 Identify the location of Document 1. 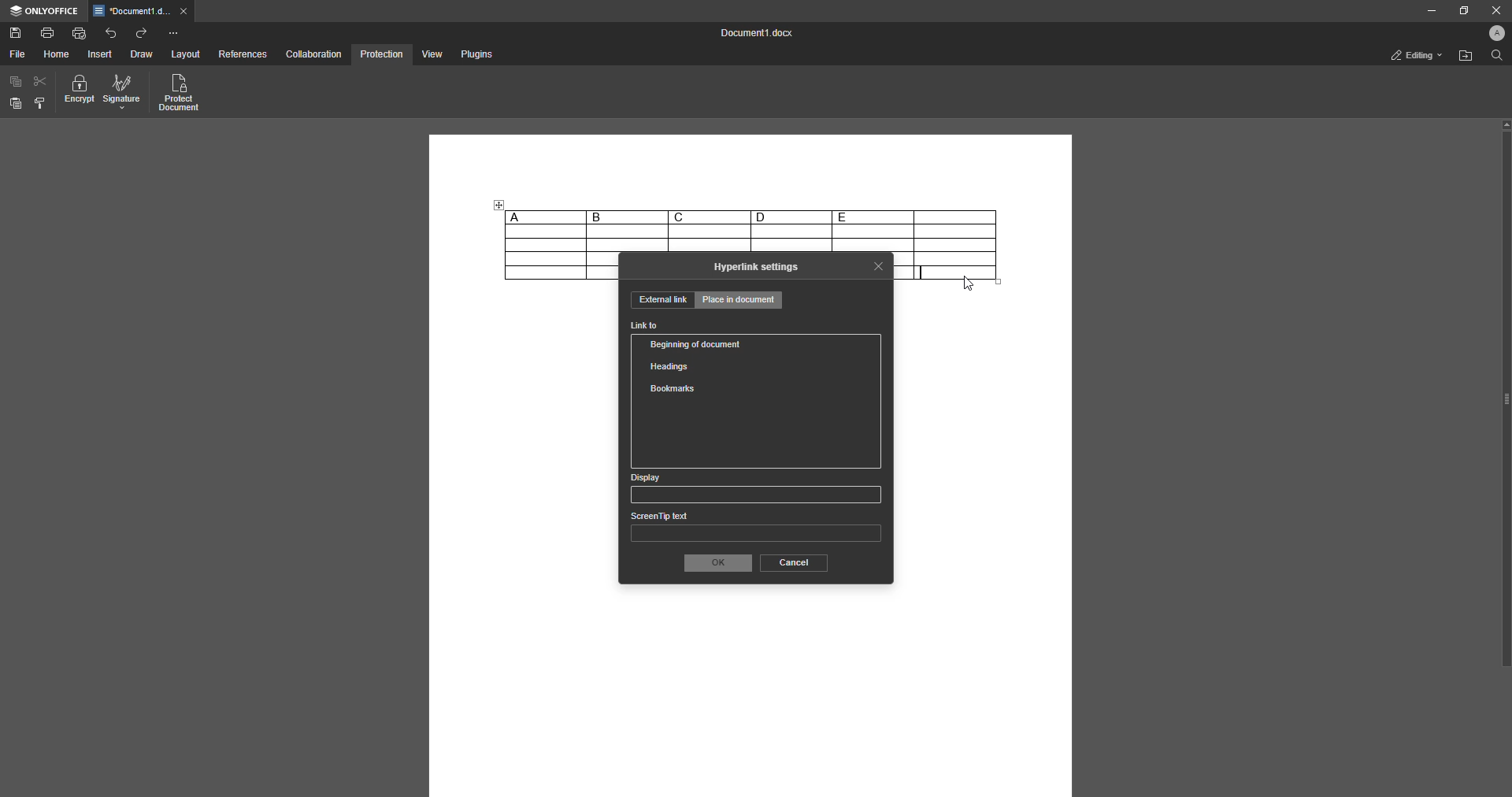
(753, 35).